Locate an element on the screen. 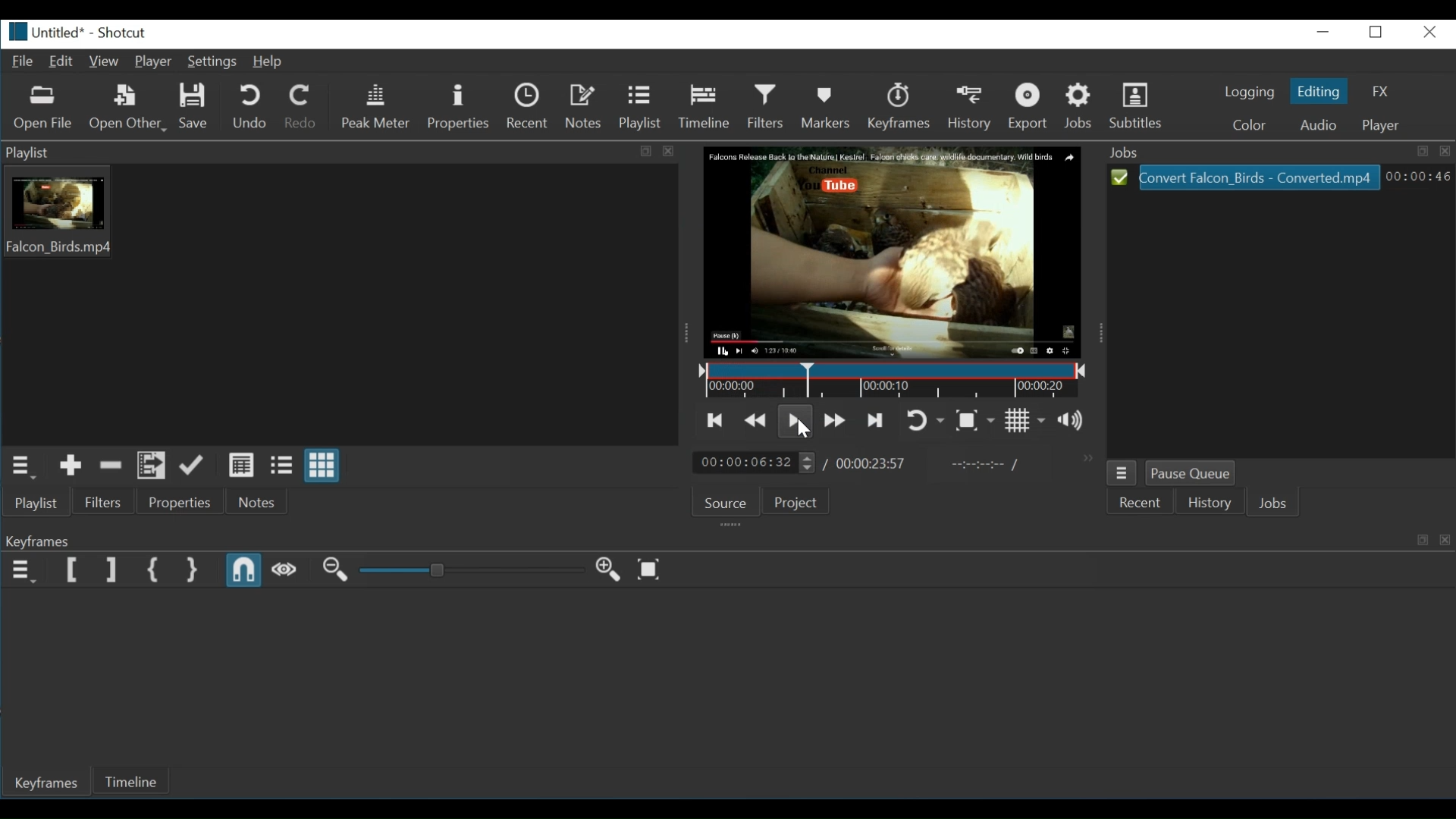 The height and width of the screenshot is (819, 1456). Playlist is located at coordinates (640, 106).